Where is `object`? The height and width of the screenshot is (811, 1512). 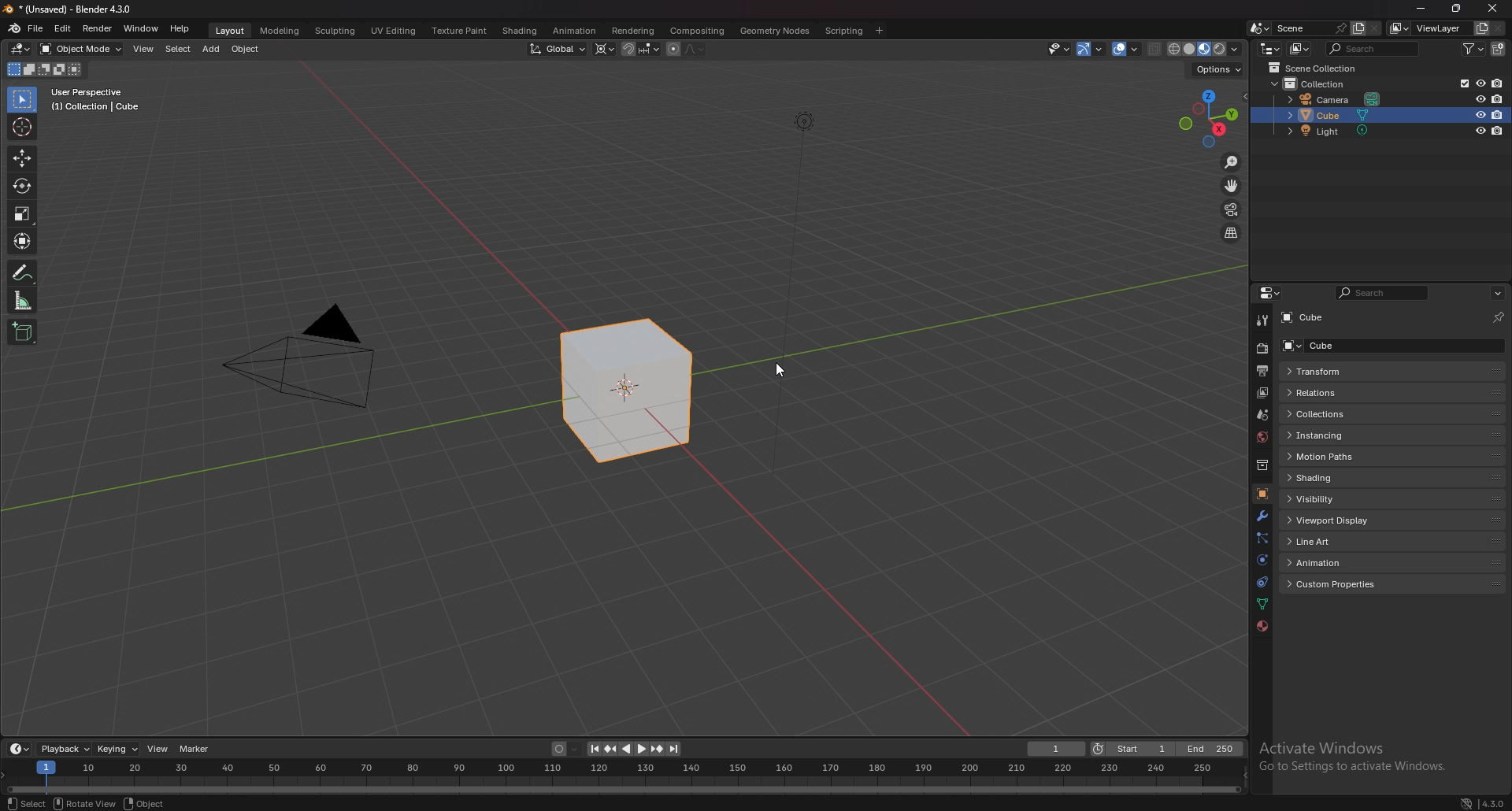 object is located at coordinates (246, 49).